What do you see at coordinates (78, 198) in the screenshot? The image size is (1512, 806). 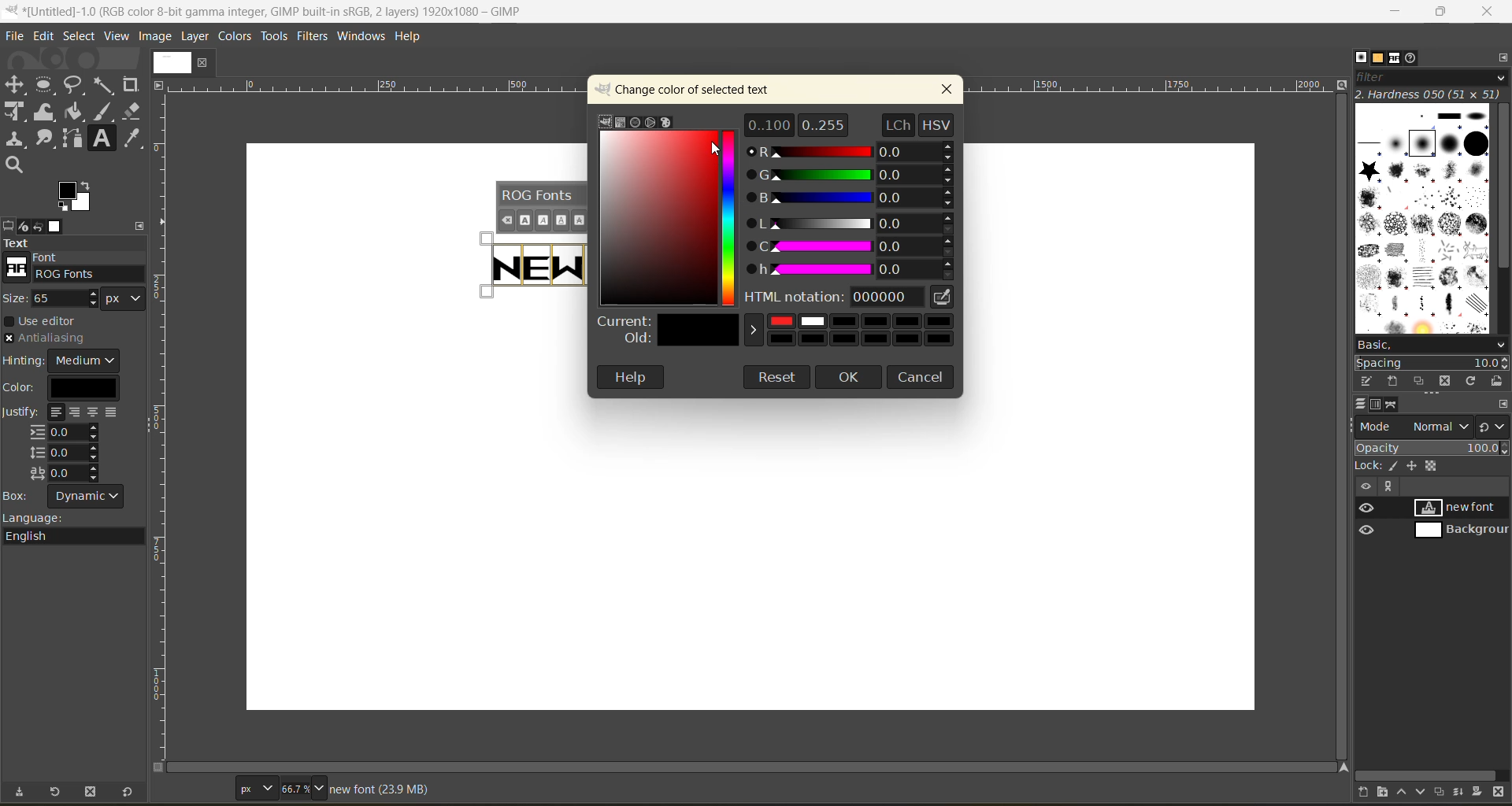 I see `active foreground/background color` at bounding box center [78, 198].